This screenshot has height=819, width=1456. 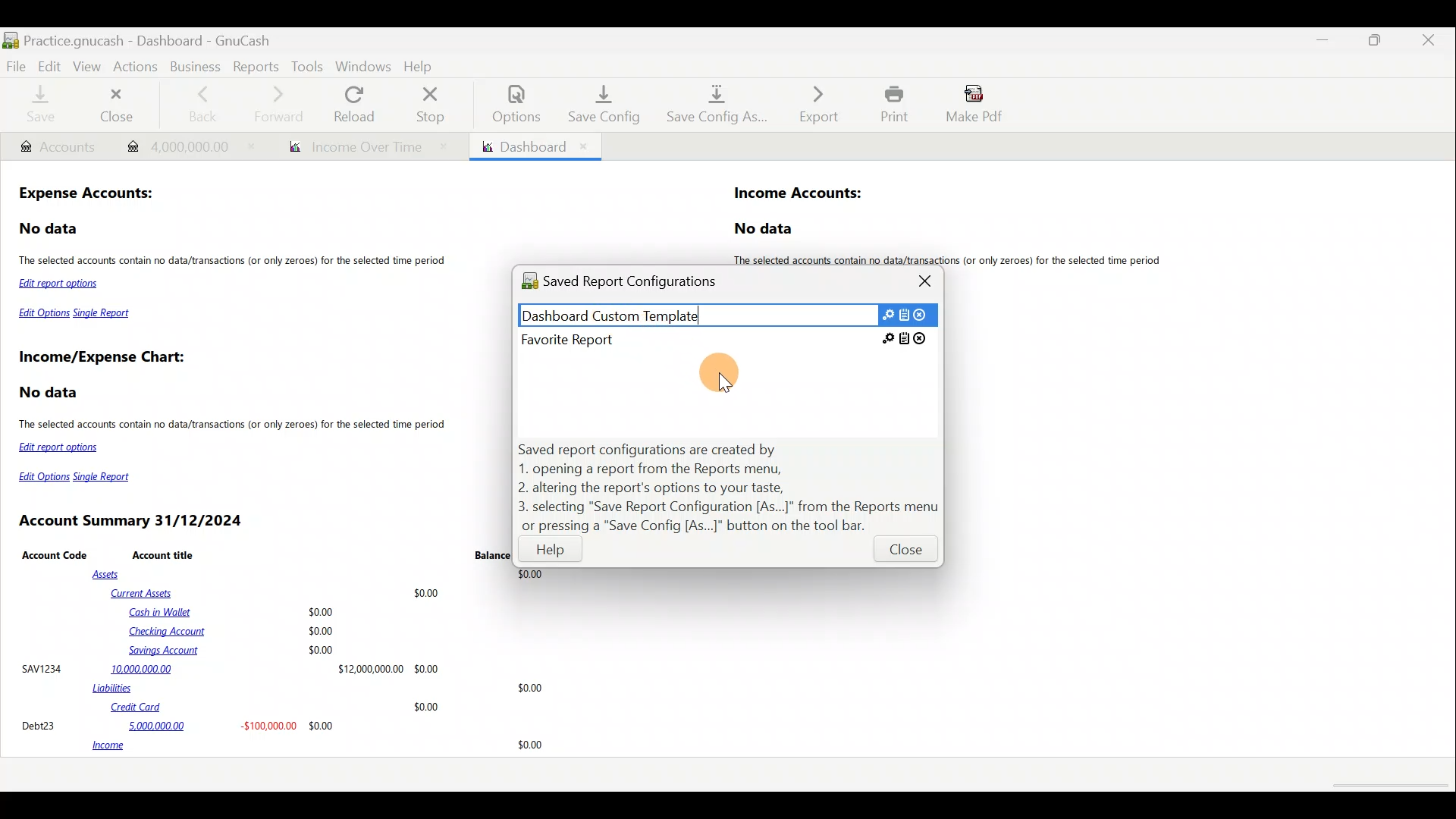 What do you see at coordinates (51, 393) in the screenshot?
I see `No data` at bounding box center [51, 393].